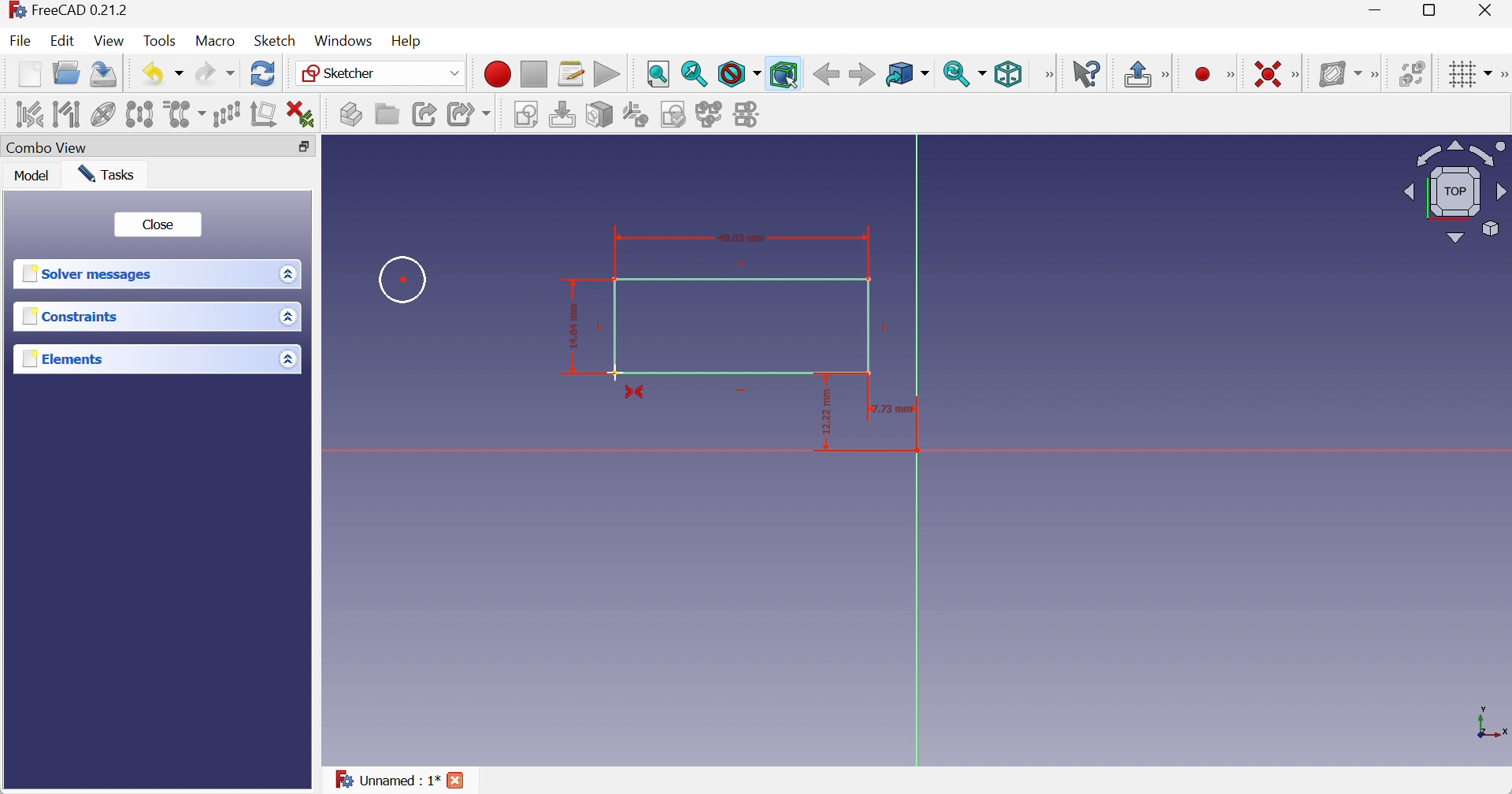  What do you see at coordinates (750, 116) in the screenshot?
I see `Mirror sketch` at bounding box center [750, 116].